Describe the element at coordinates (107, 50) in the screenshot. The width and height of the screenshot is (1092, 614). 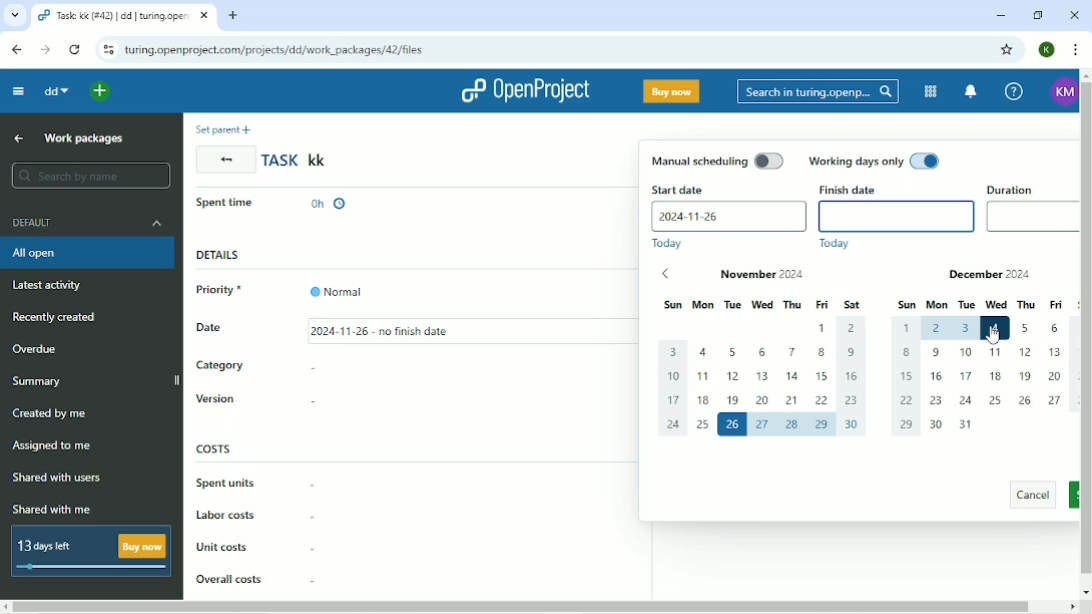
I see `View site information` at that location.